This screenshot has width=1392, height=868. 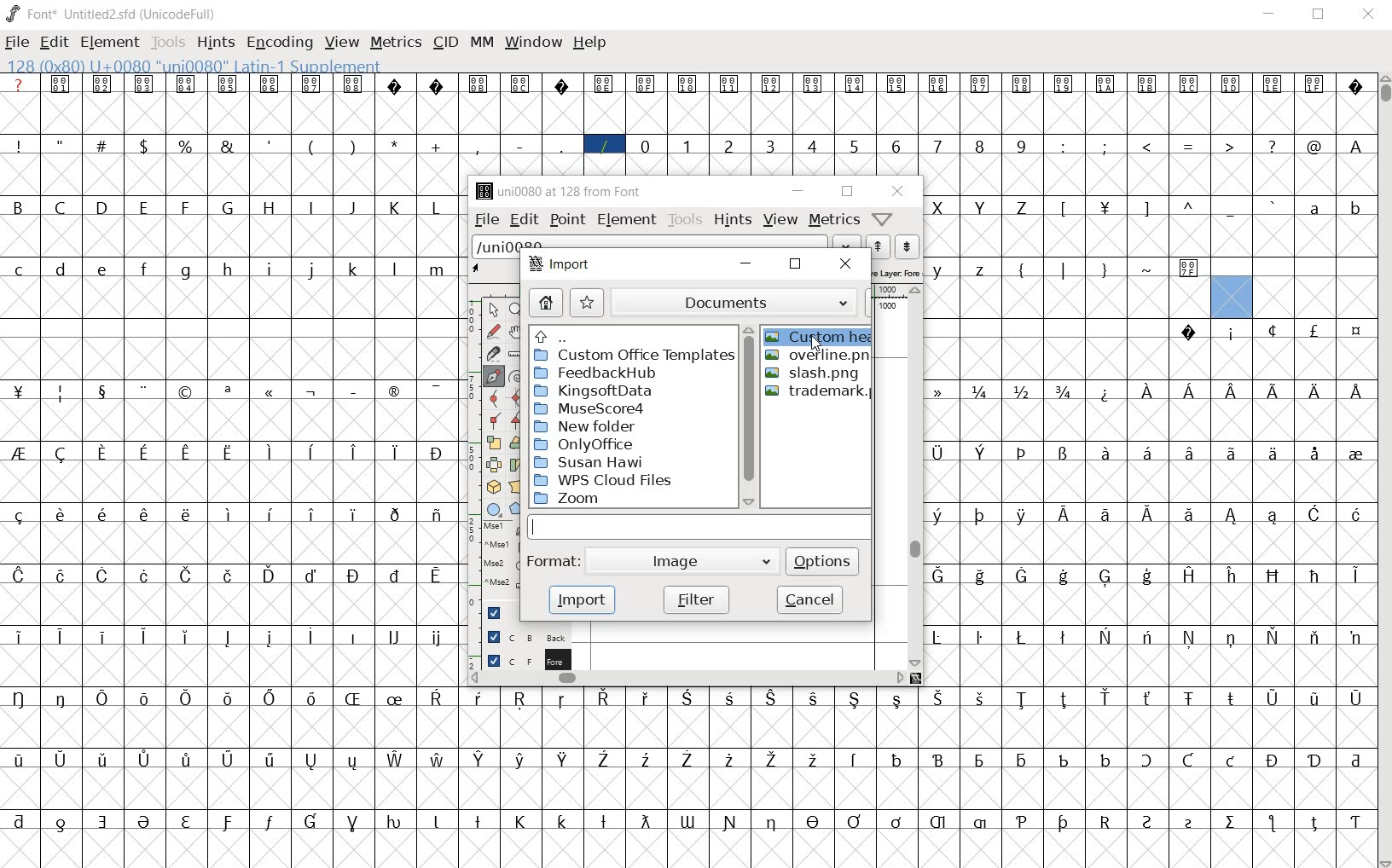 What do you see at coordinates (31, 13) in the screenshot?
I see `FONT` at bounding box center [31, 13].